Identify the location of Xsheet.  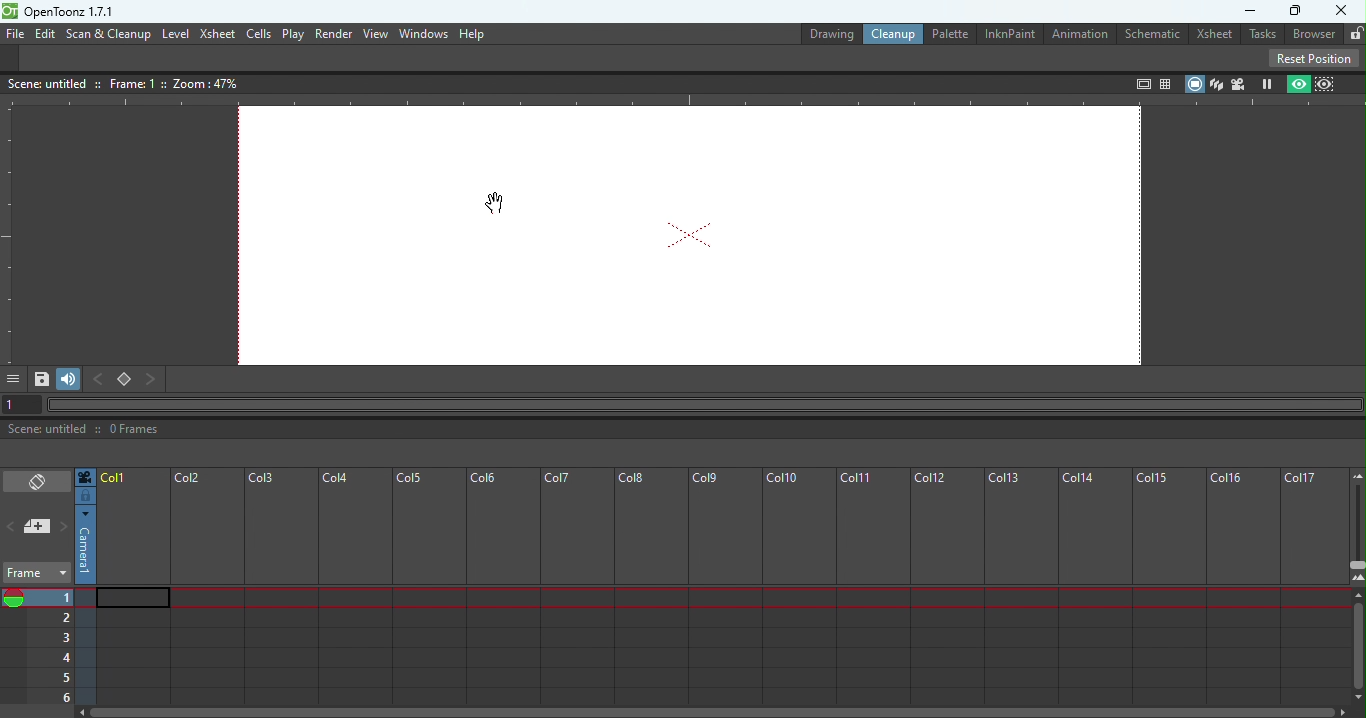
(1214, 34).